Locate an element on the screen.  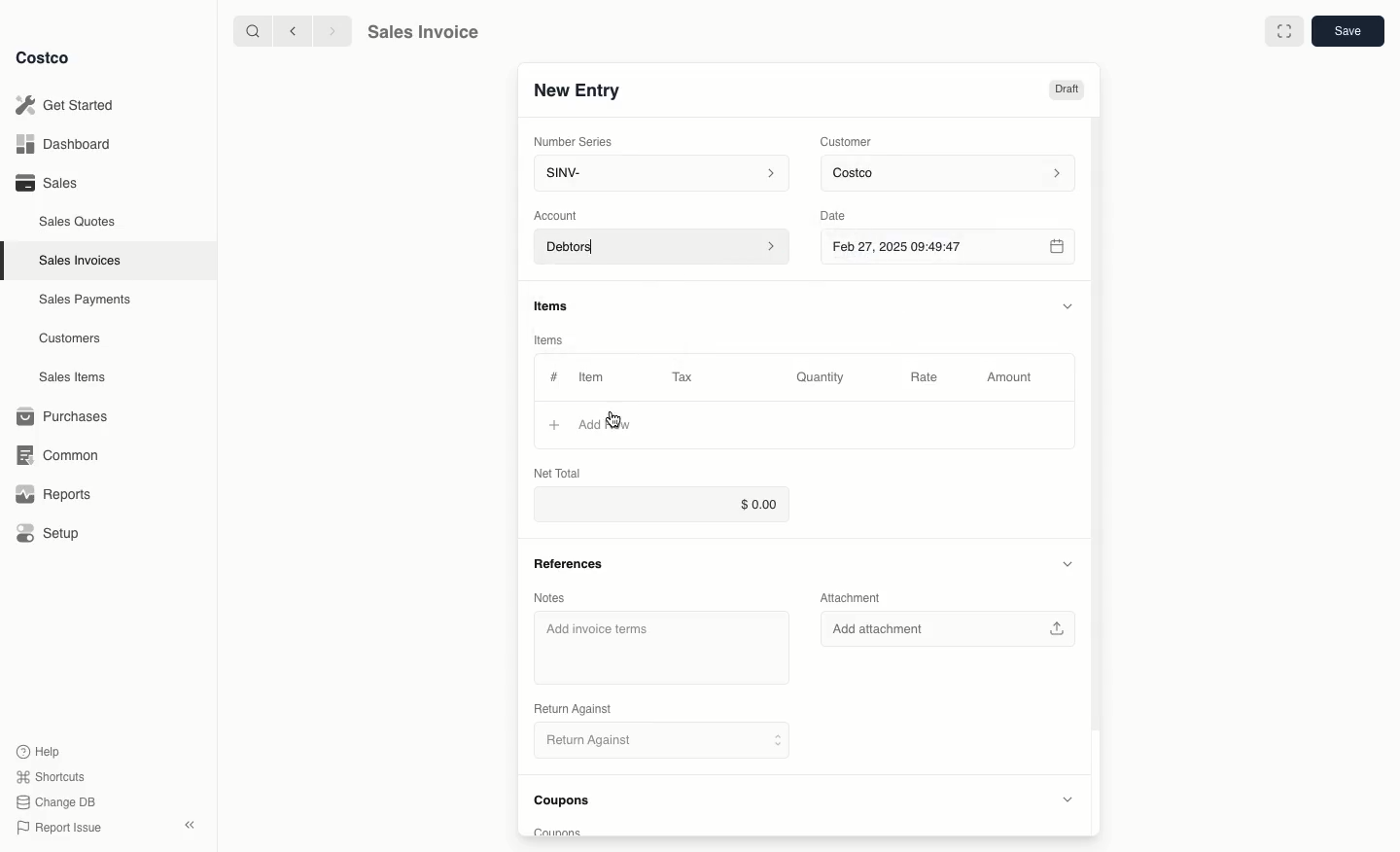
‘Return Against is located at coordinates (571, 709).